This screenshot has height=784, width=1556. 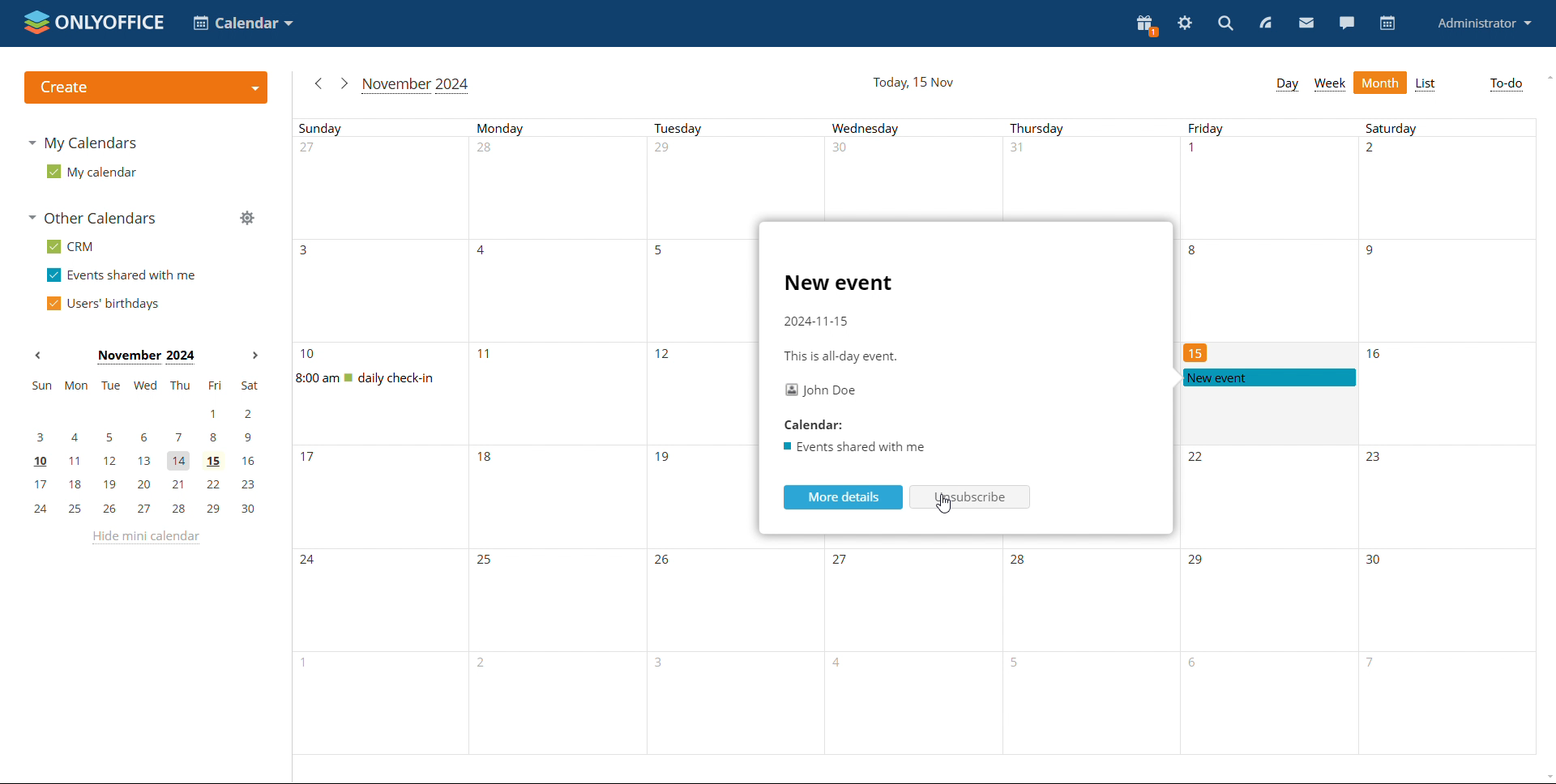 I want to click on day view, so click(x=1287, y=84).